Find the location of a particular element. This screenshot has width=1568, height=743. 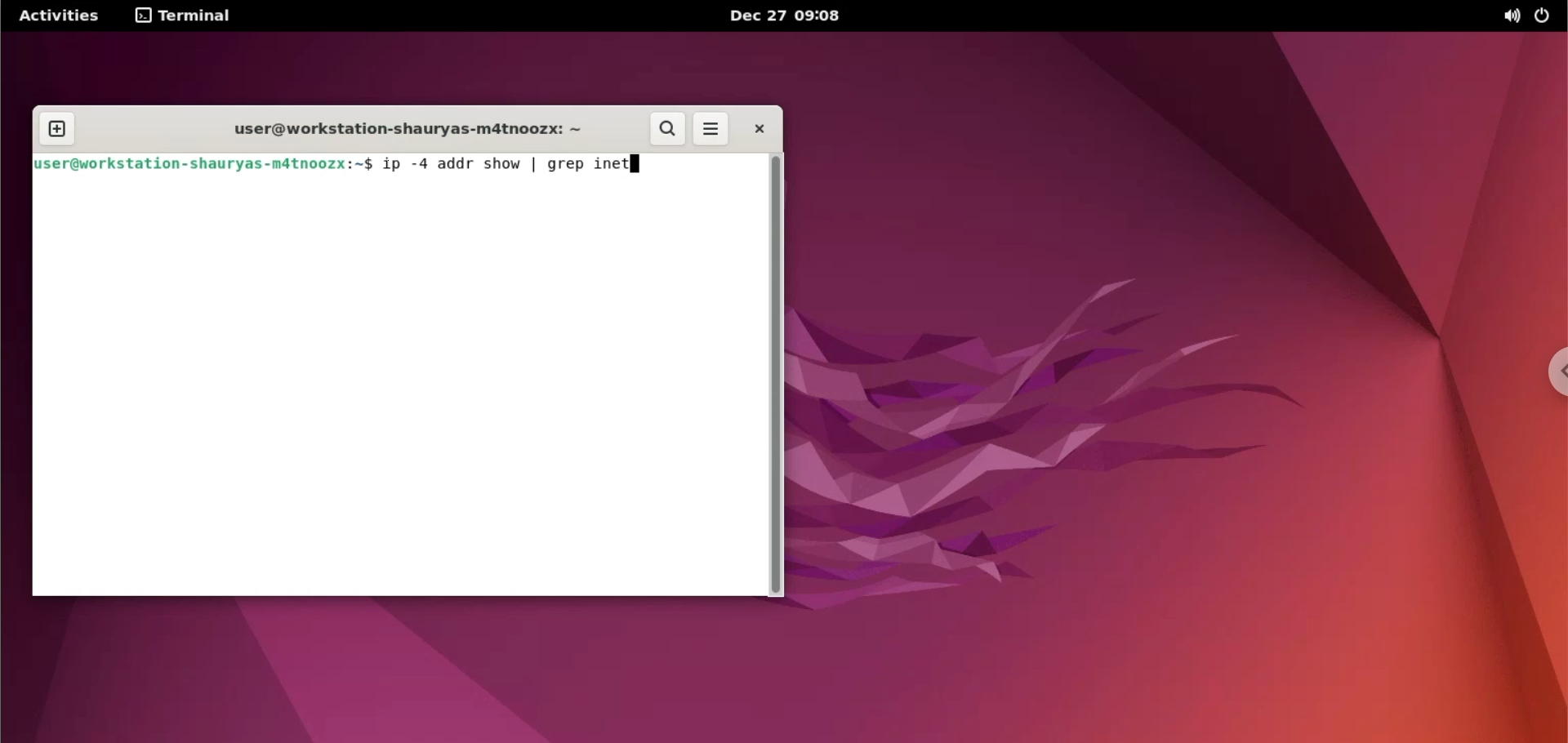

Activities is located at coordinates (58, 16).